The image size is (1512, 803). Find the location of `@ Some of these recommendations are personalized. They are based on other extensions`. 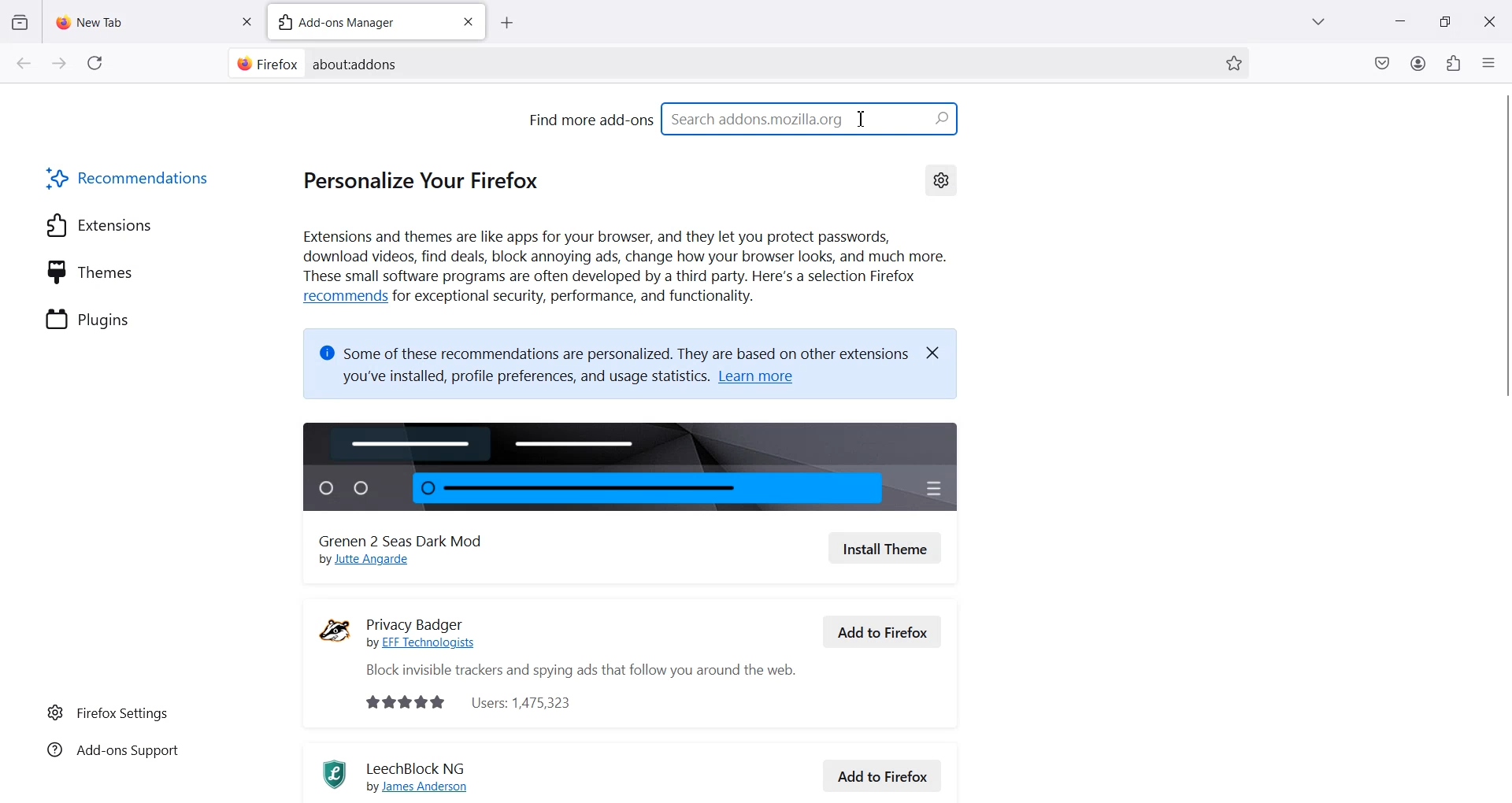

@ Some of these recommendations are personalized. They are based on other extensions is located at coordinates (610, 348).